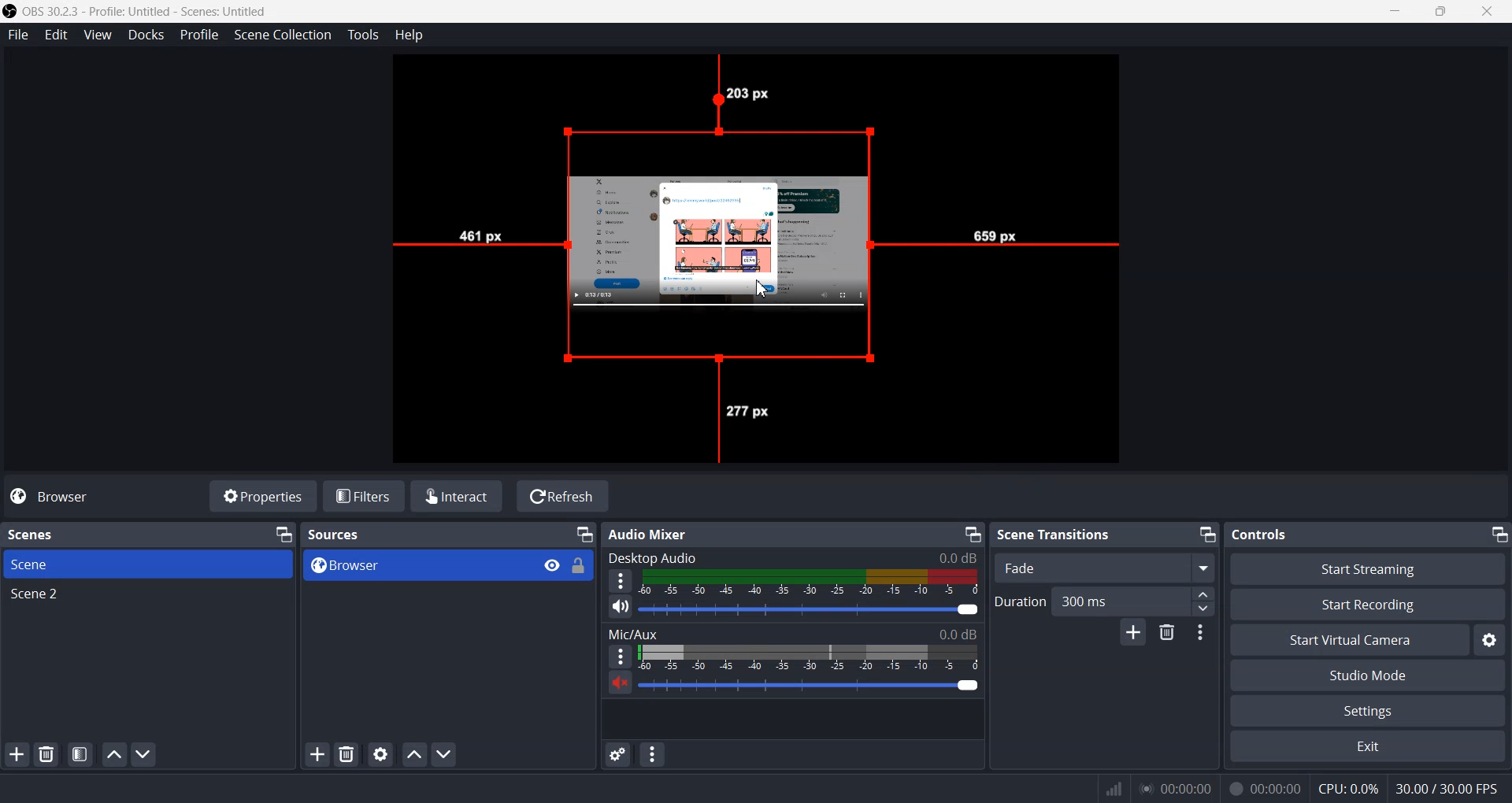  I want to click on Move sources down, so click(443, 753).